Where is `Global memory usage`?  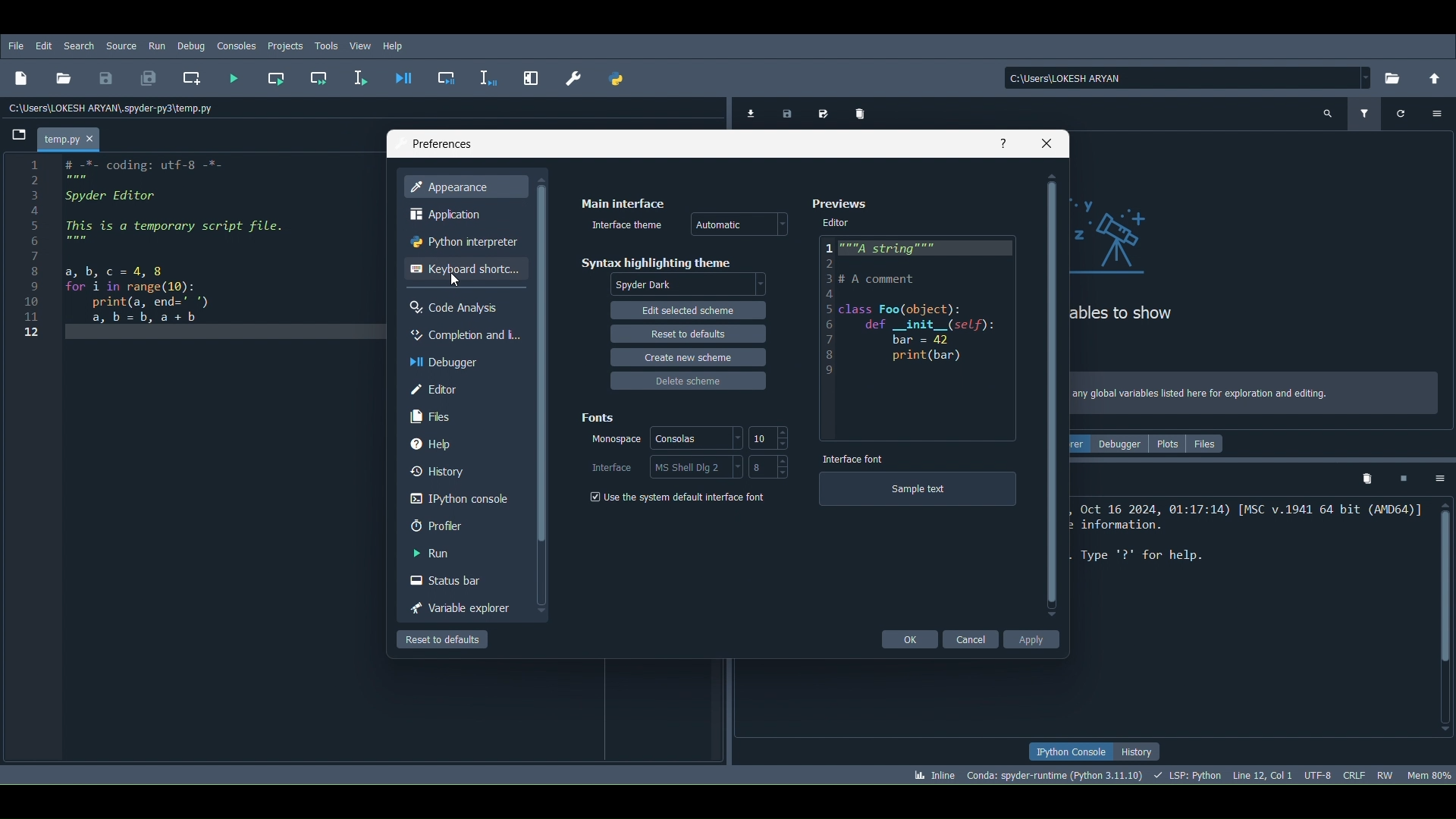 Global memory usage is located at coordinates (1429, 773).